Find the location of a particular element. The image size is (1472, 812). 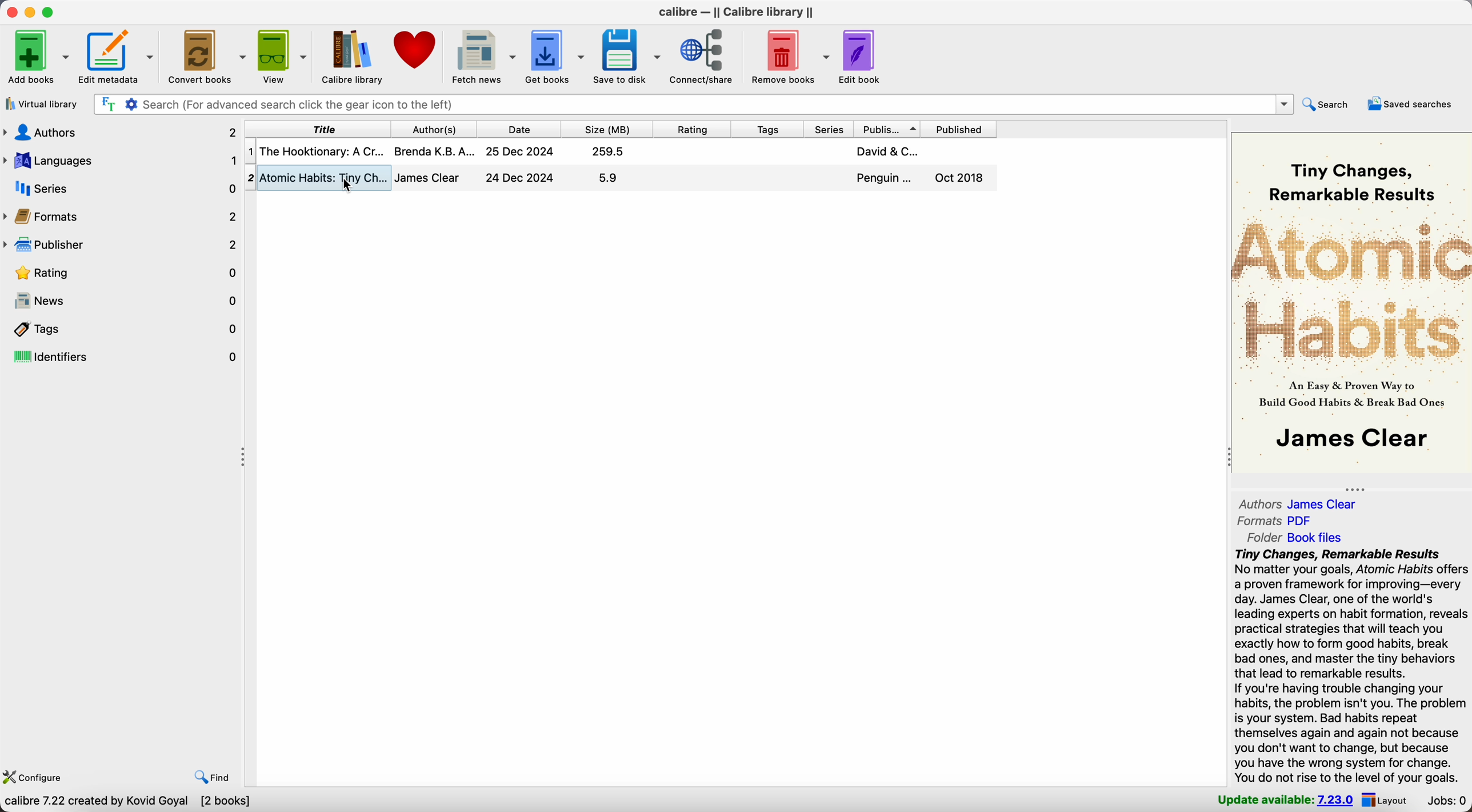

calibre 7.22 created by Kovid Goyal [2 books] is located at coordinates (129, 802).